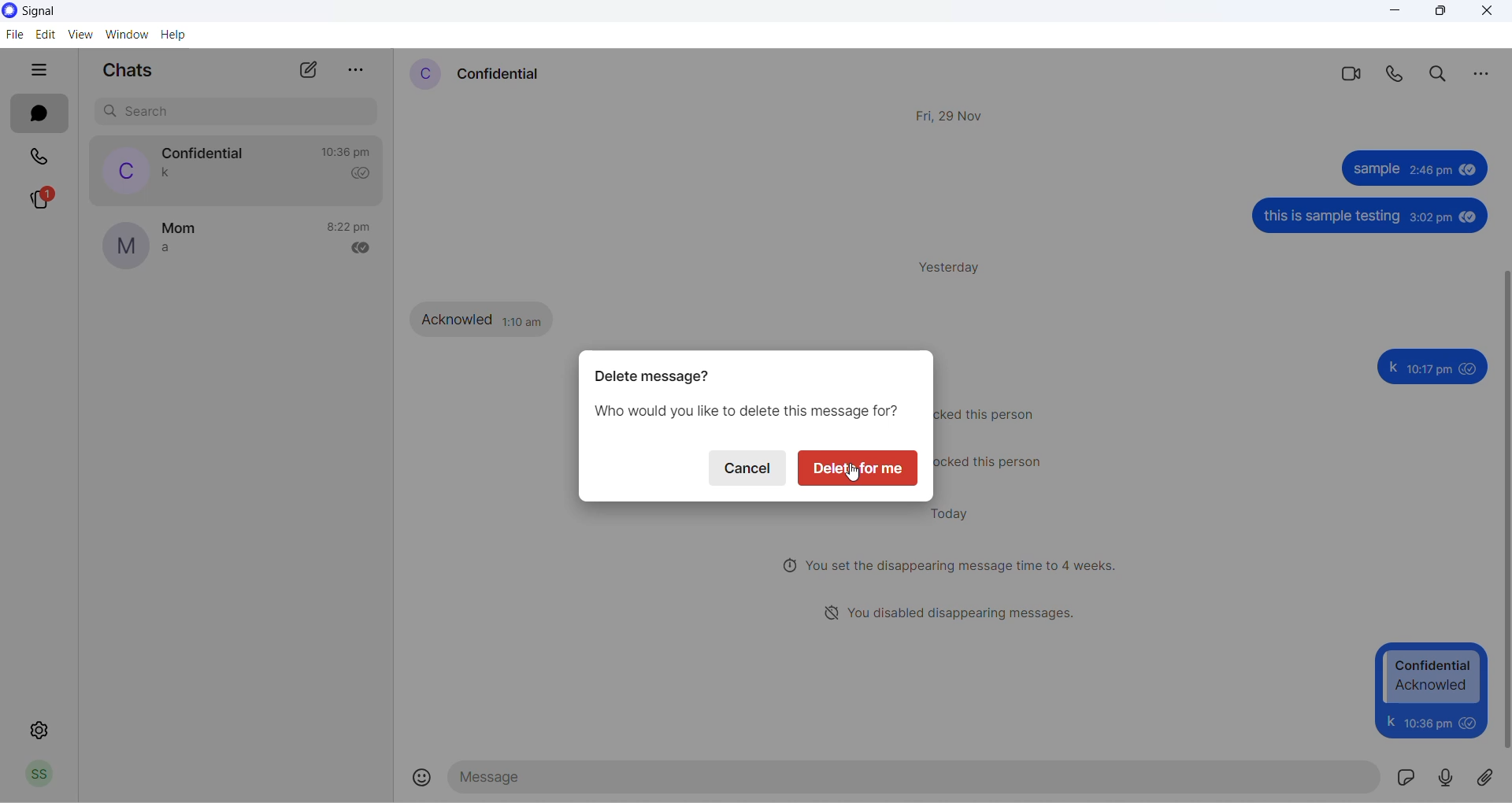 The width and height of the screenshot is (1512, 803). What do you see at coordinates (125, 246) in the screenshot?
I see `profile picture` at bounding box center [125, 246].